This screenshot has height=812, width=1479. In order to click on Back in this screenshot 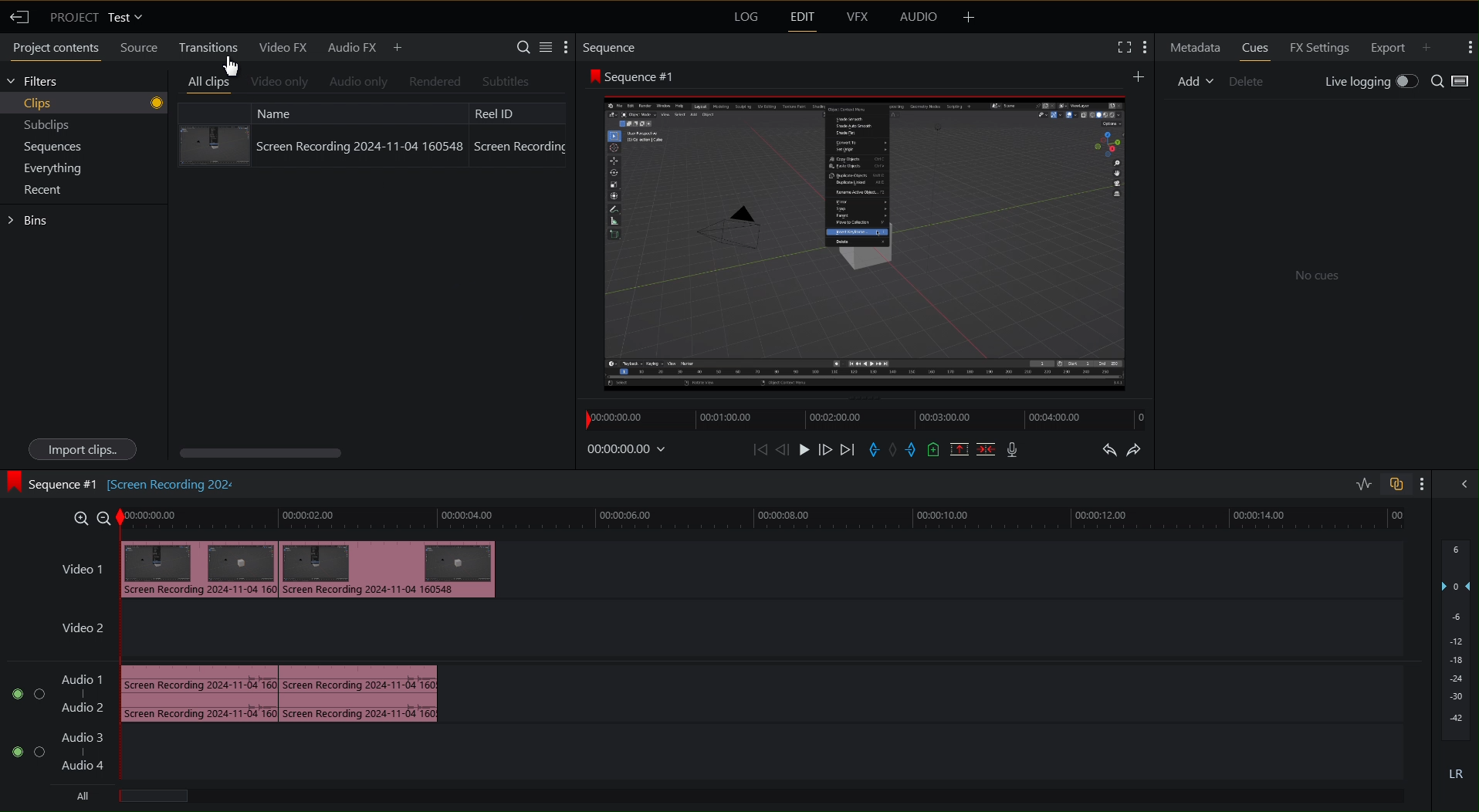, I will do `click(22, 18)`.